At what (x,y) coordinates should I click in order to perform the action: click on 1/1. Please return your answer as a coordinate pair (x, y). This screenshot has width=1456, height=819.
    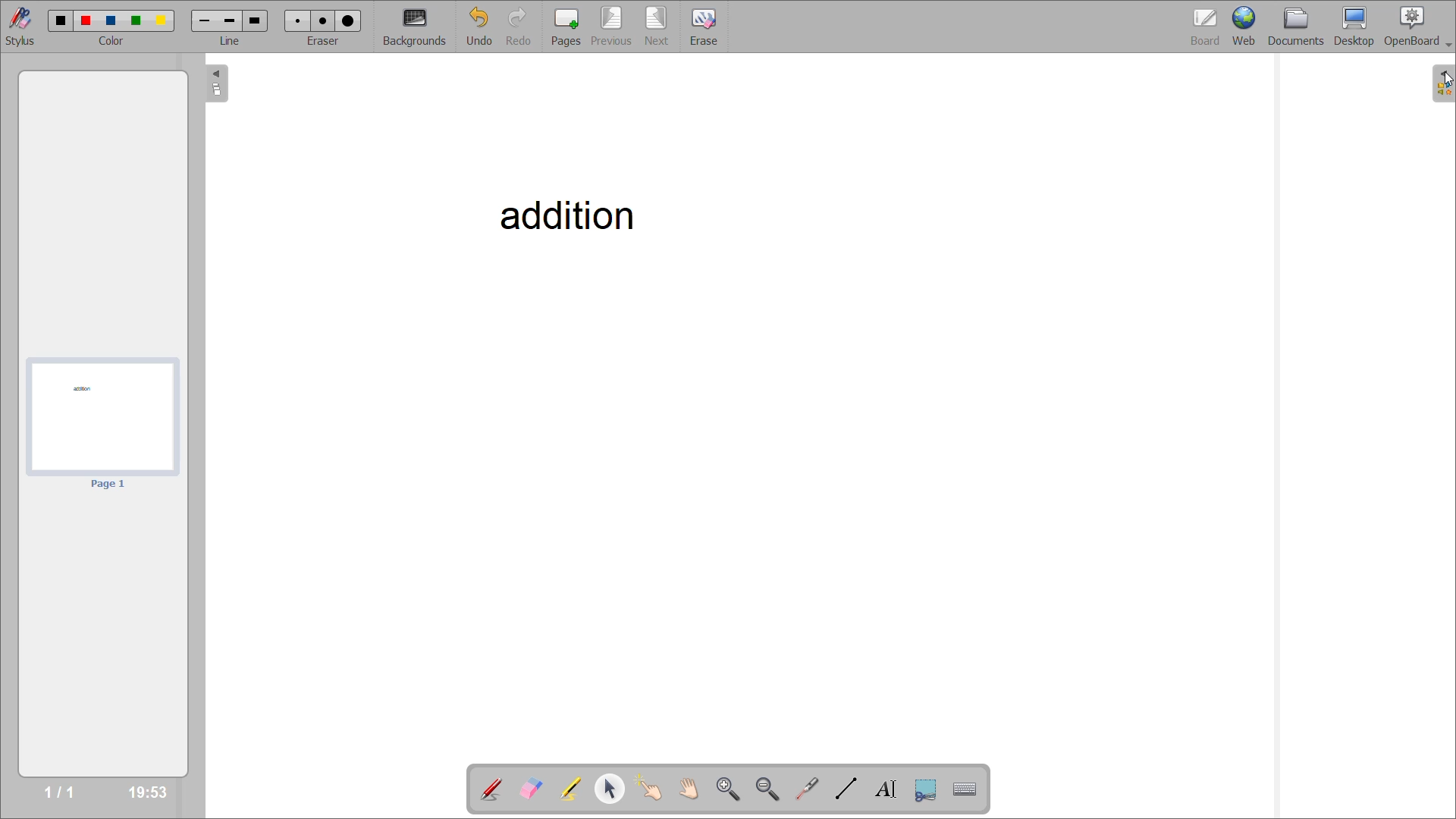
    Looking at the image, I should click on (59, 790).